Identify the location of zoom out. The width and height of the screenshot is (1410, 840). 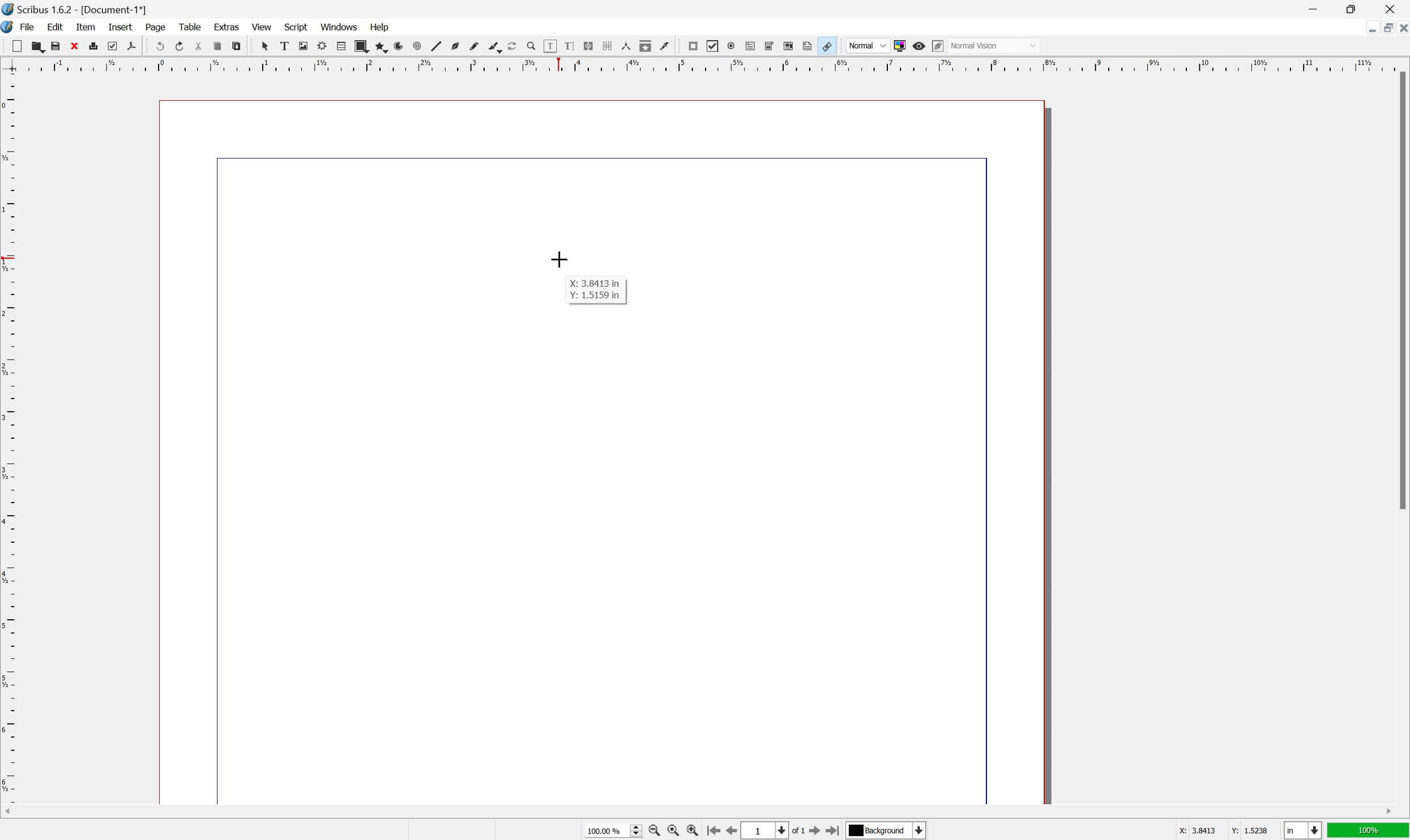
(653, 831).